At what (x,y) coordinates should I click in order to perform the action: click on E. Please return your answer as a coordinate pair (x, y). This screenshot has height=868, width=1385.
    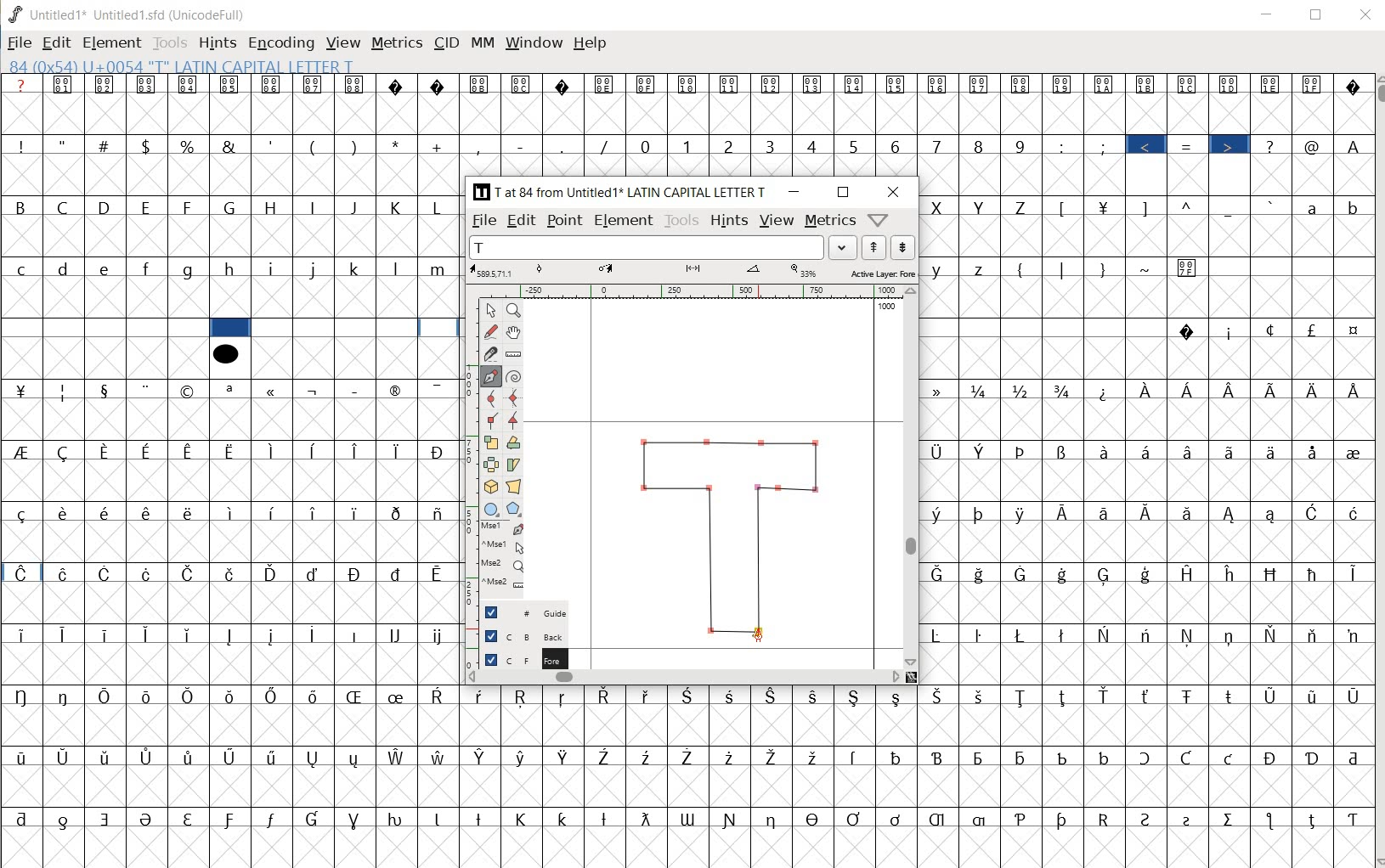
    Looking at the image, I should click on (149, 208).